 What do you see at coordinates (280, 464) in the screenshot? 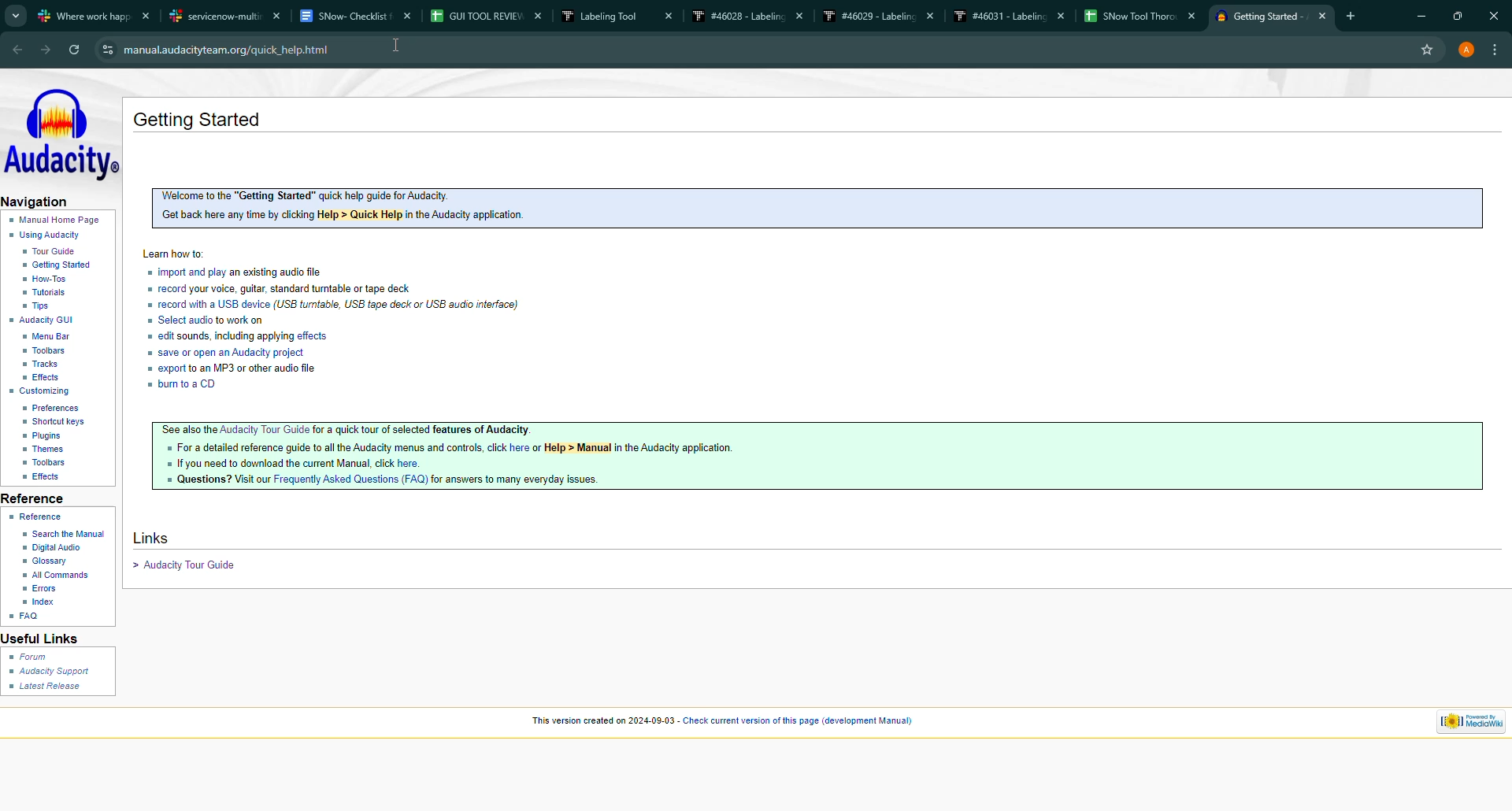
I see `If you need to download the current Manual. click` at bounding box center [280, 464].